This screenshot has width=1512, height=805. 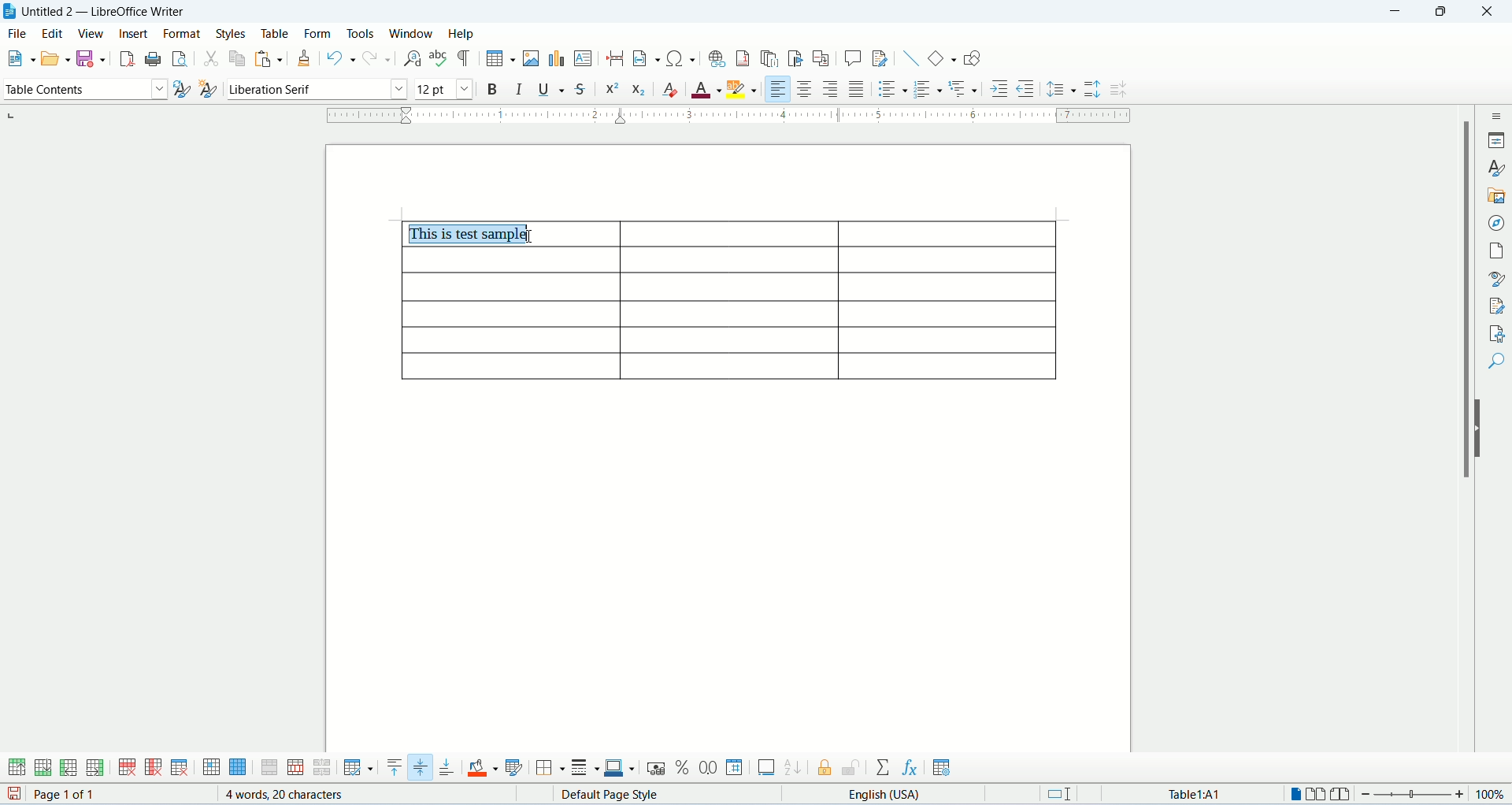 I want to click on font size, so click(x=445, y=90).